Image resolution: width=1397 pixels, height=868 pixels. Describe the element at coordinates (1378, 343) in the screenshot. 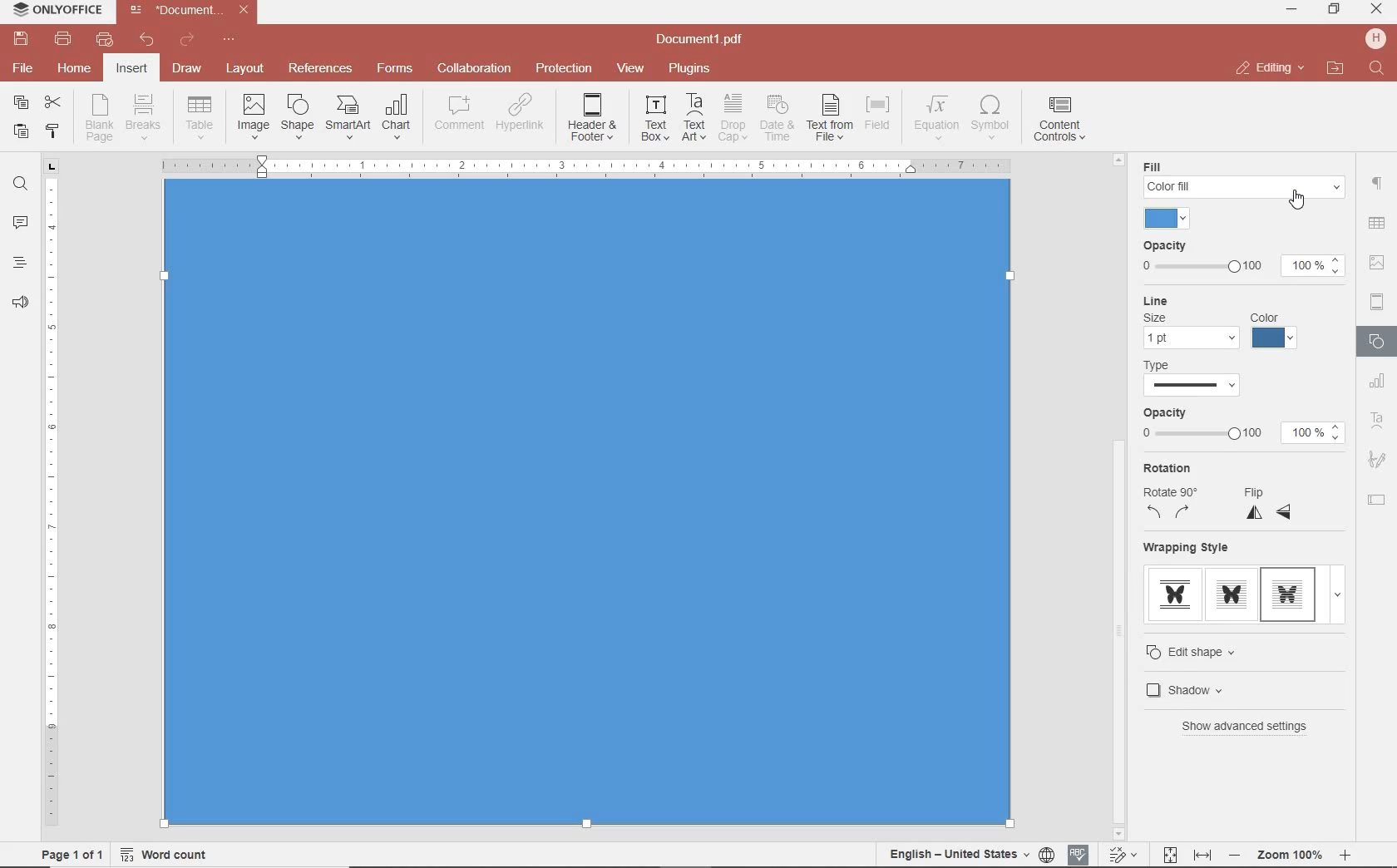

I see `SHAPES` at that location.